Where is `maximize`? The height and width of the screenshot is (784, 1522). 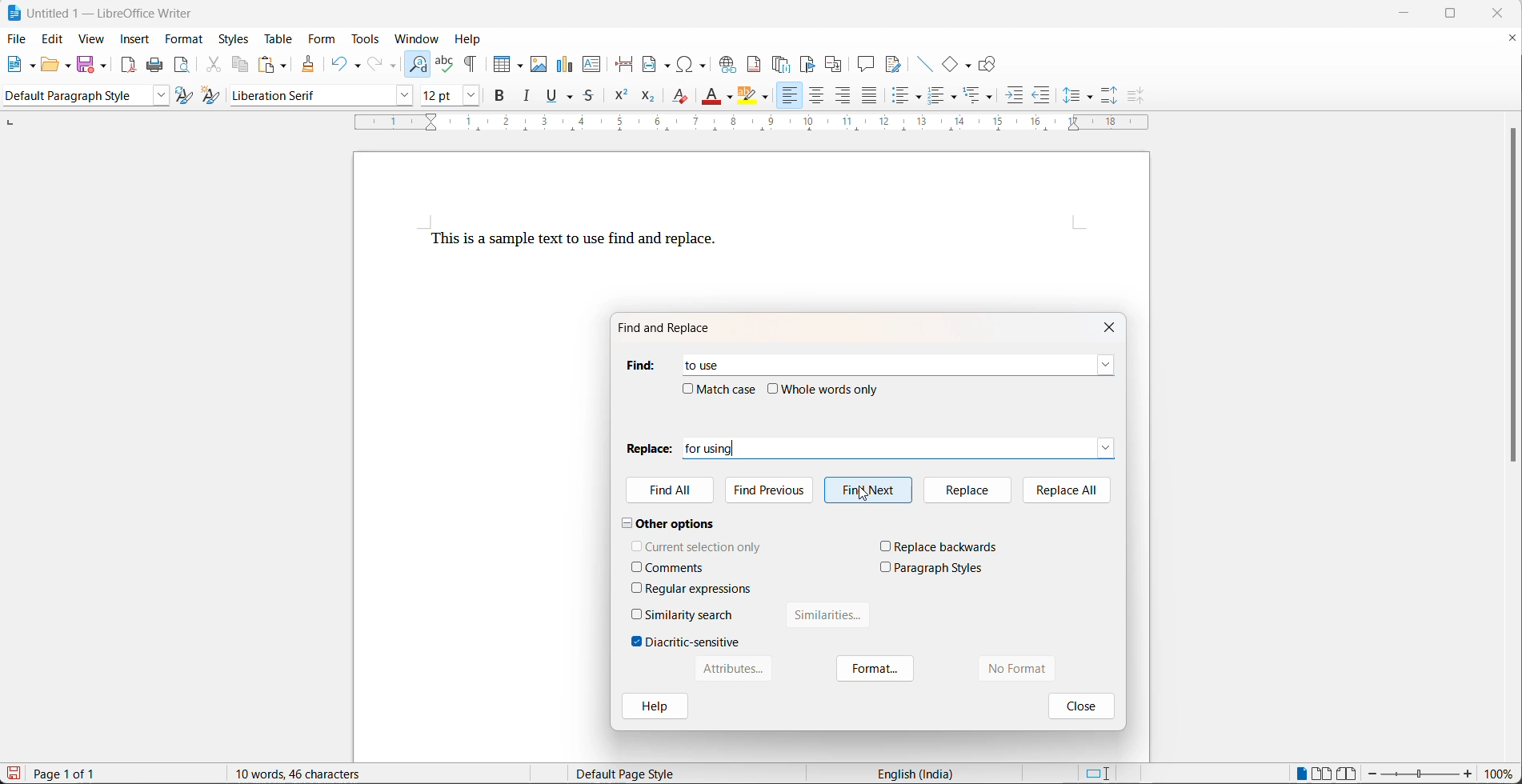
maximize is located at coordinates (1462, 15).